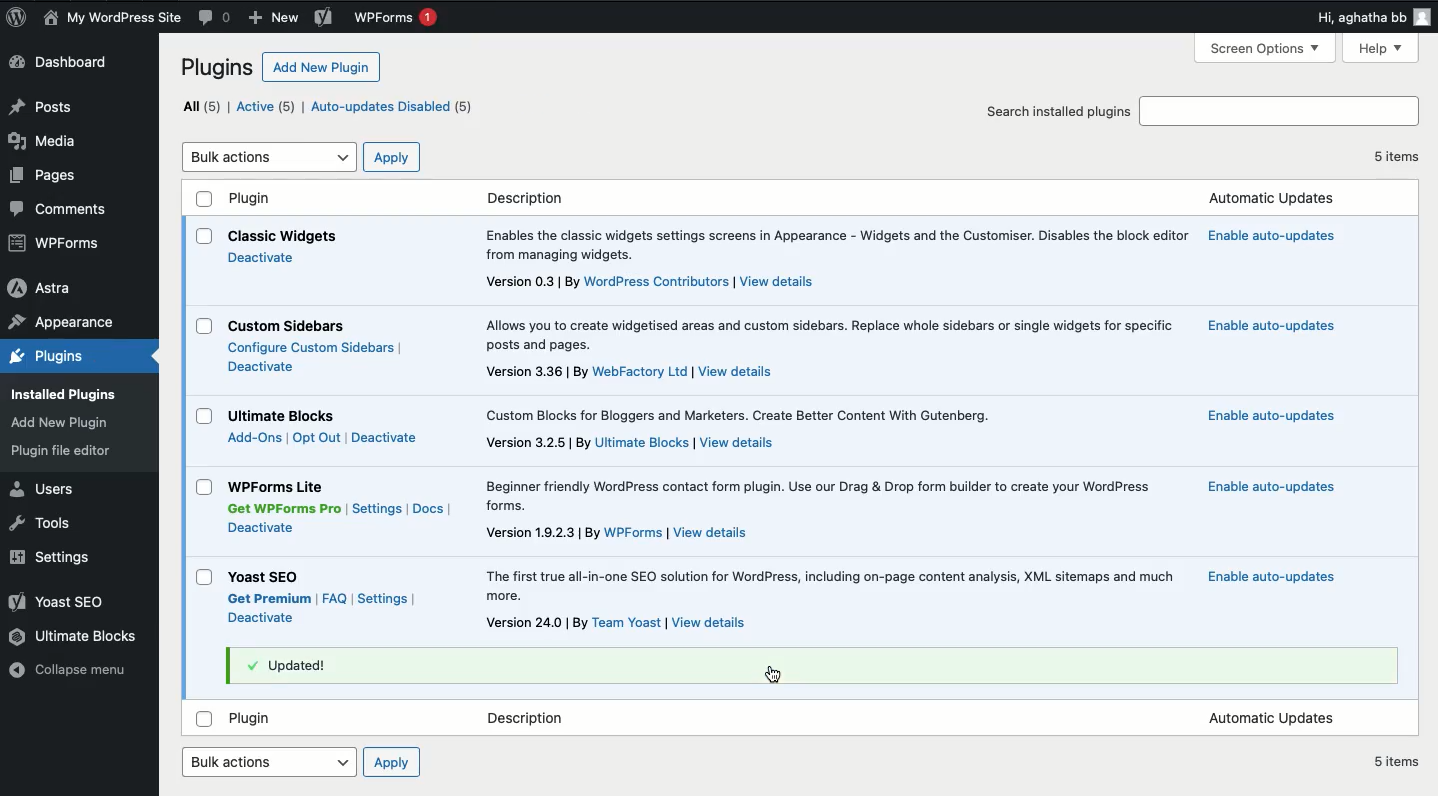  Describe the element at coordinates (115, 19) in the screenshot. I see `Name` at that location.